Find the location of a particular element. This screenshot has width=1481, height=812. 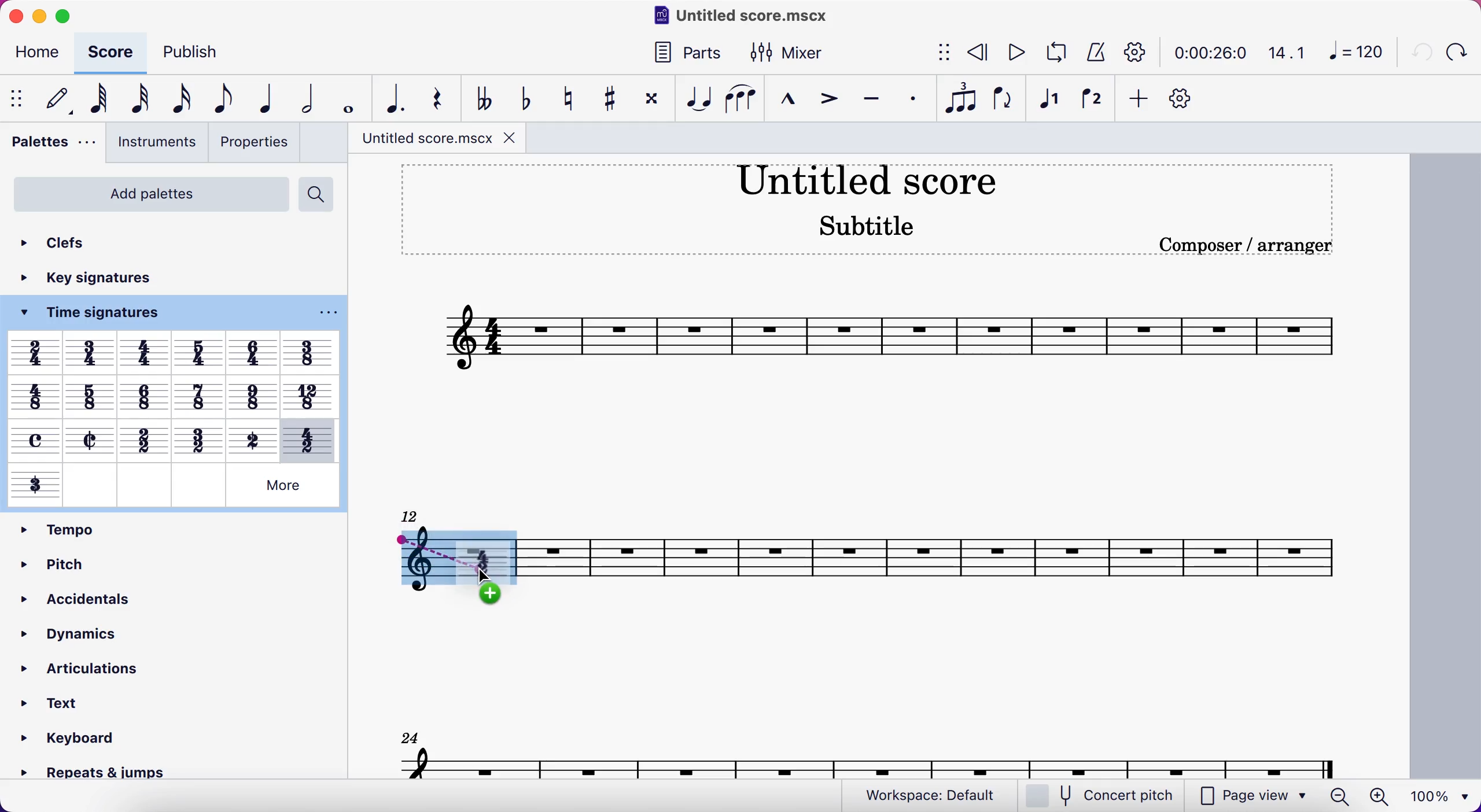

key signatures is located at coordinates (108, 280).